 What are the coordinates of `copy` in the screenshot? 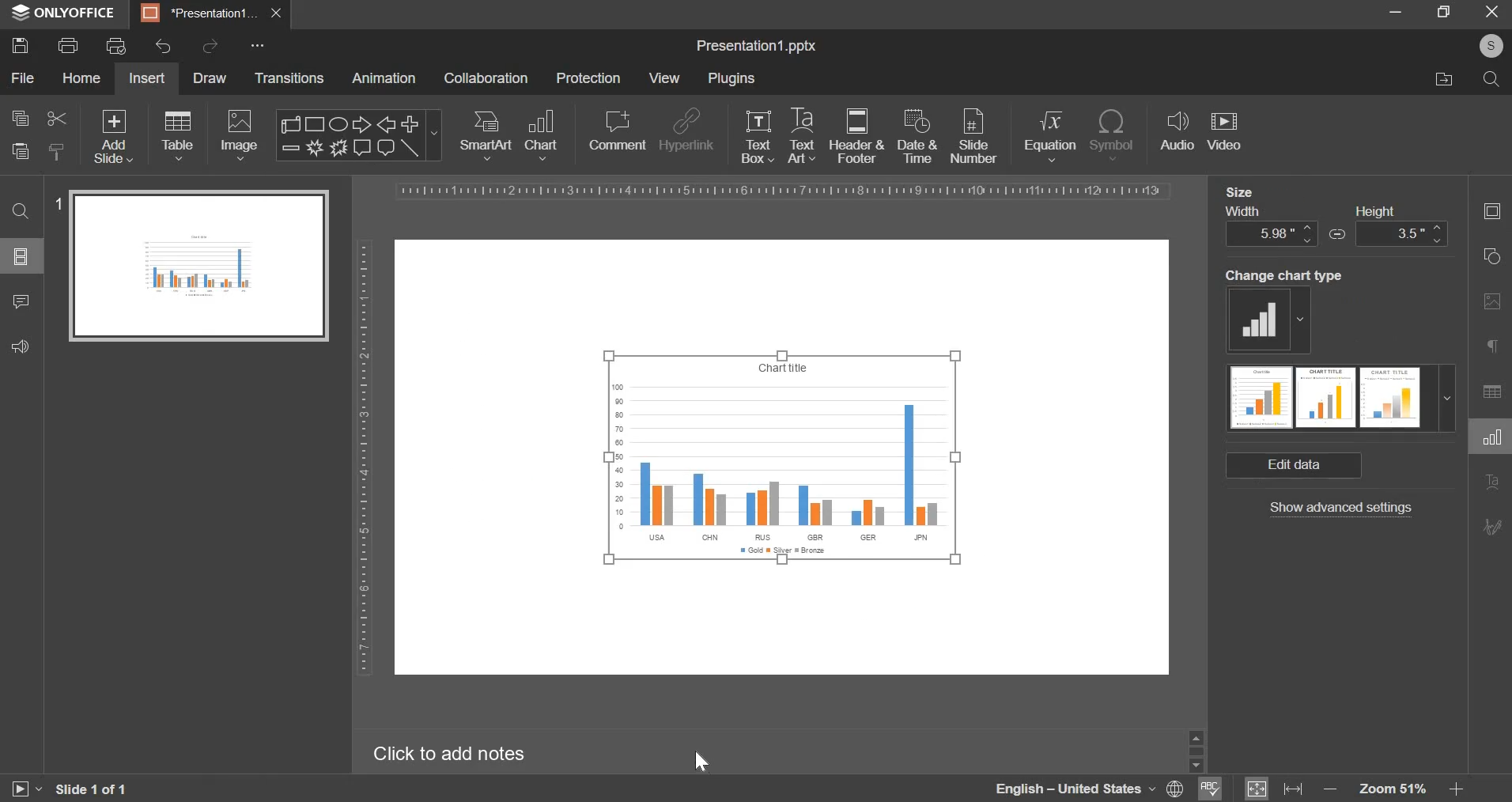 It's located at (19, 119).